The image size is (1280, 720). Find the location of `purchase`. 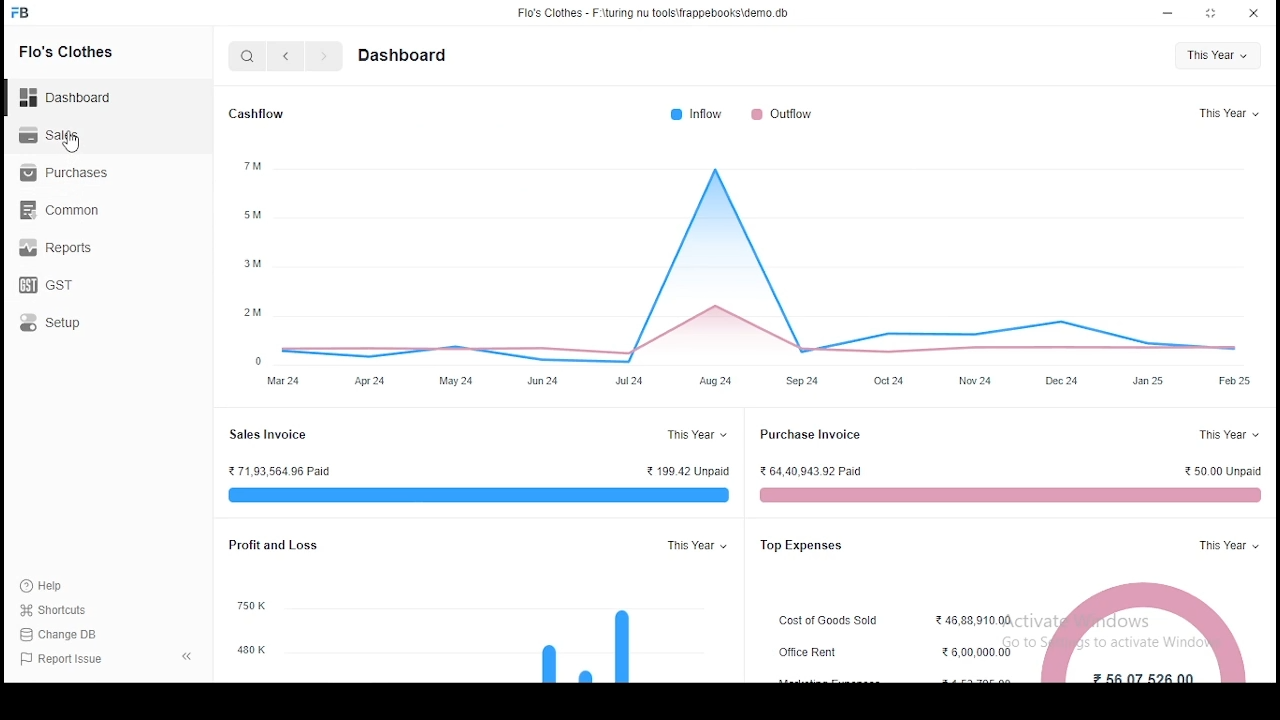

purchase is located at coordinates (67, 173).